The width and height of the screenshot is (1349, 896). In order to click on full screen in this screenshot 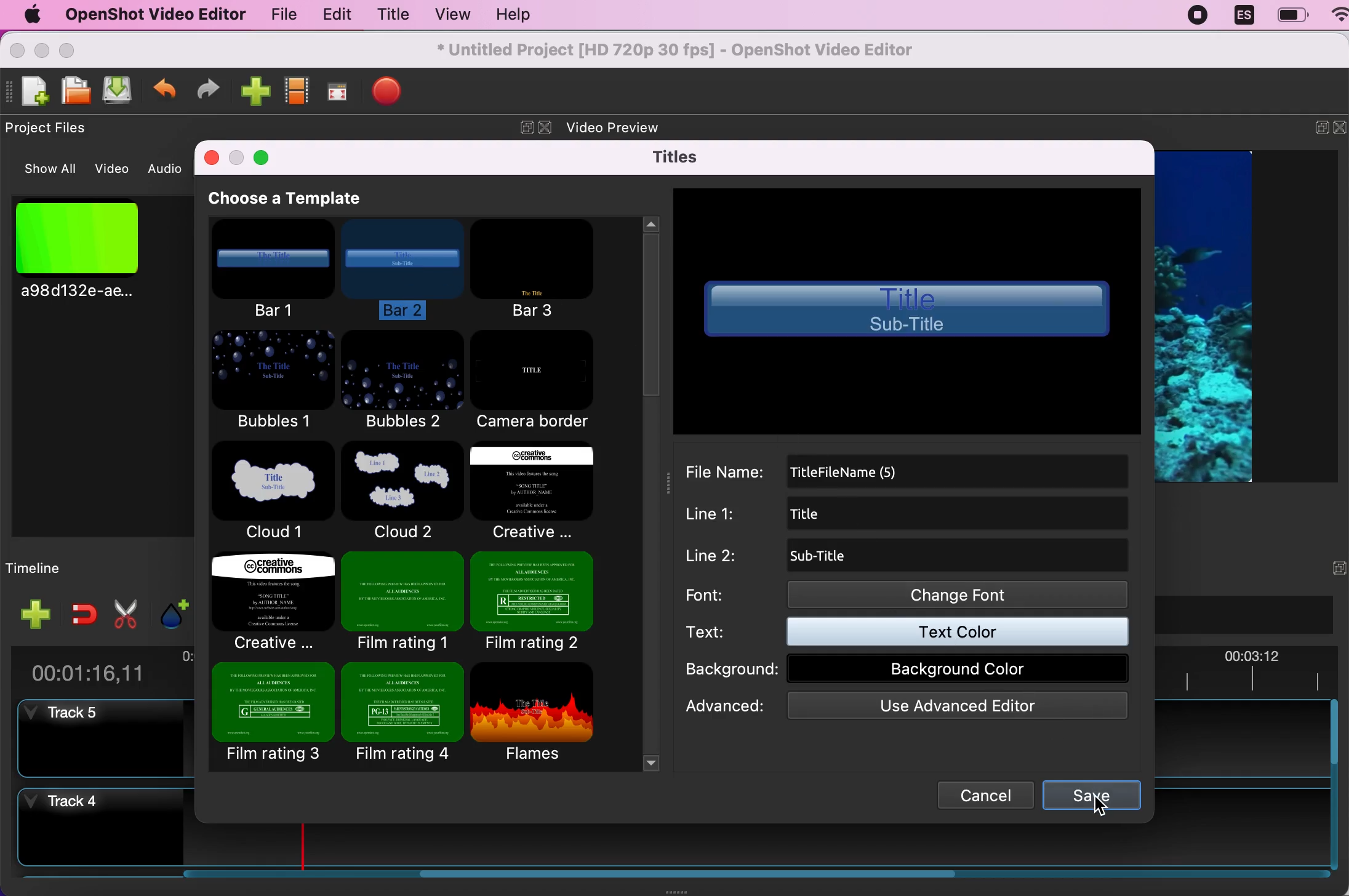, I will do `click(340, 89)`.